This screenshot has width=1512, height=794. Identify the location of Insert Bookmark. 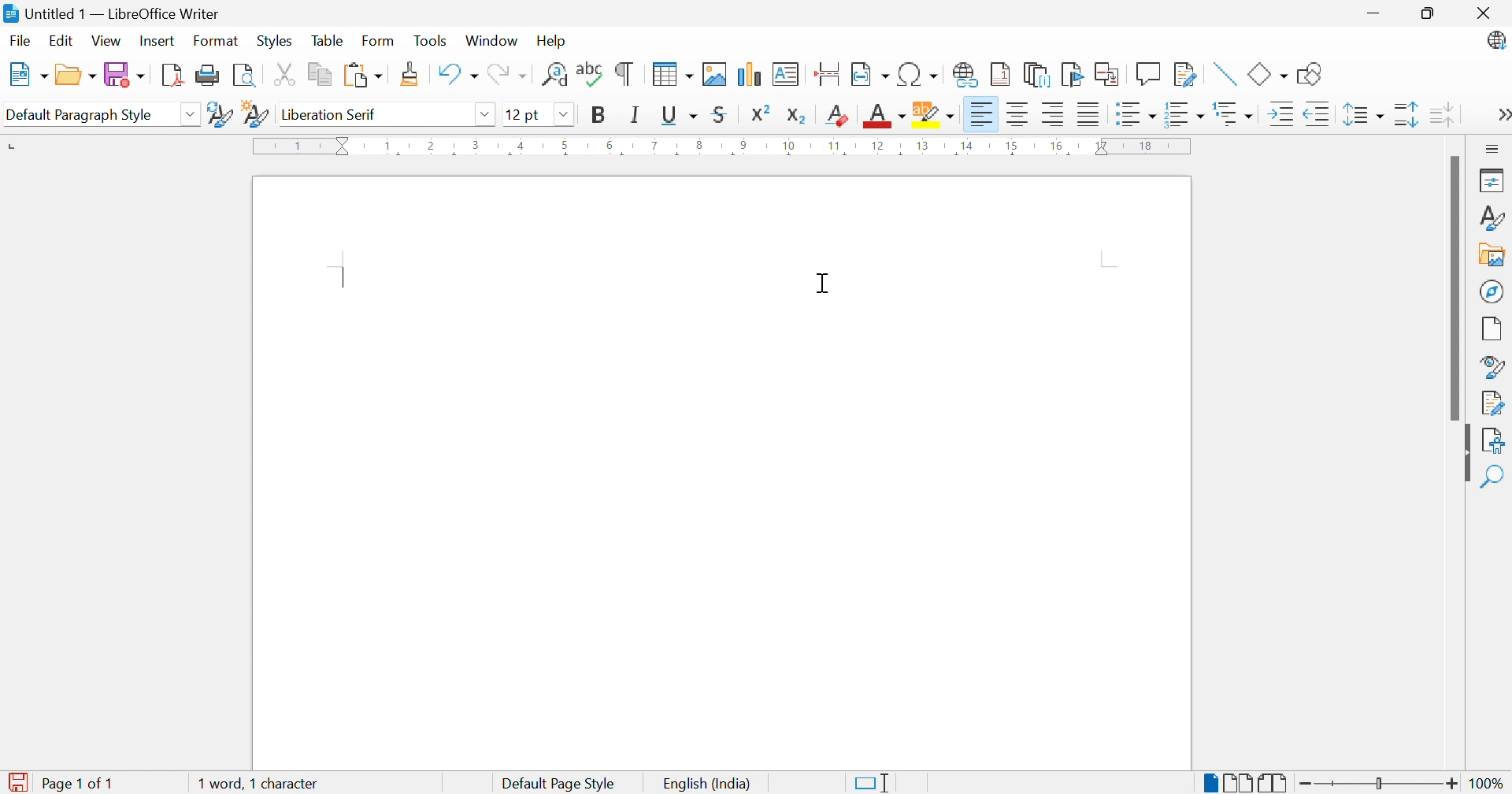
(1070, 74).